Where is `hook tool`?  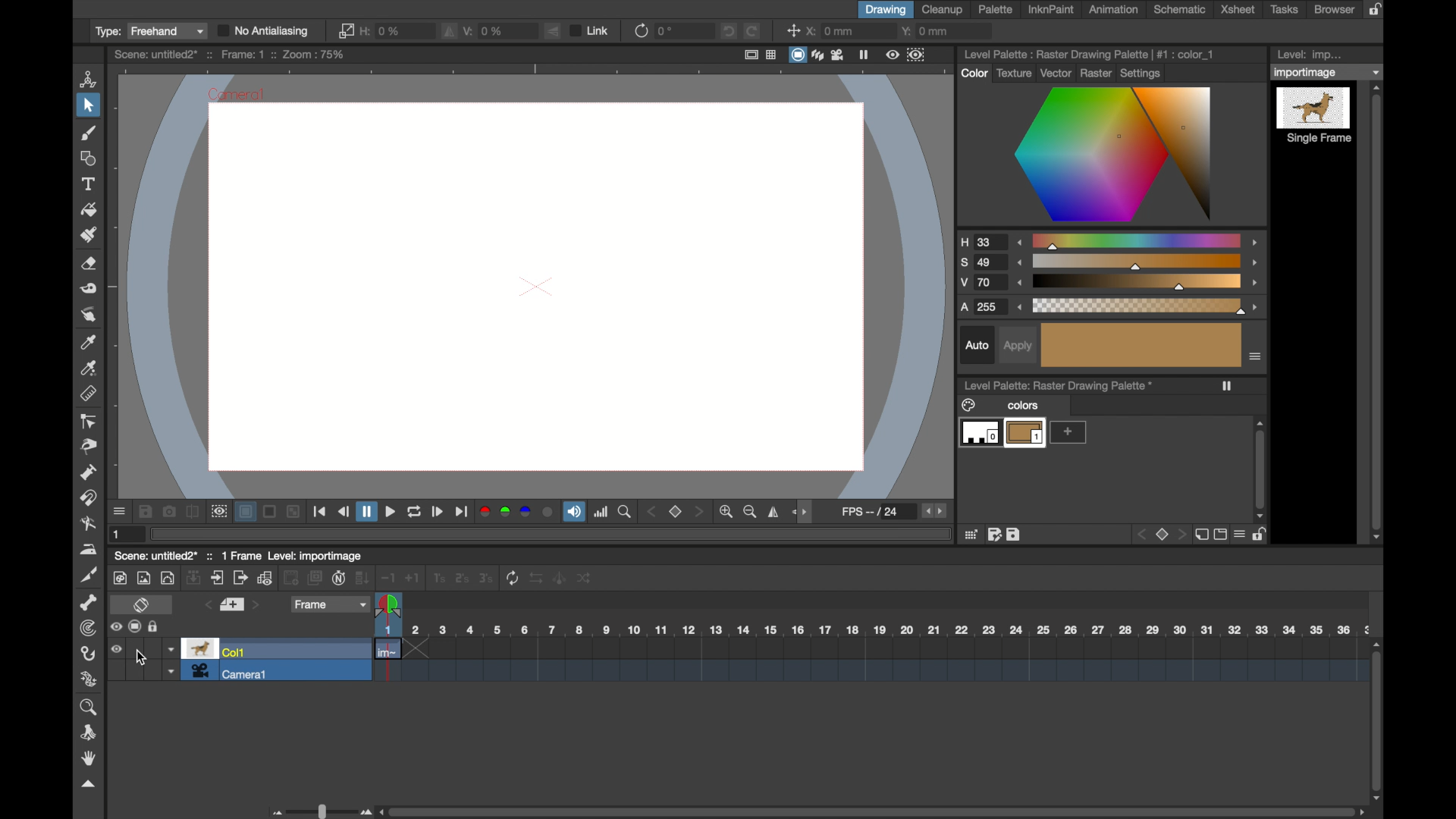 hook tool is located at coordinates (87, 654).